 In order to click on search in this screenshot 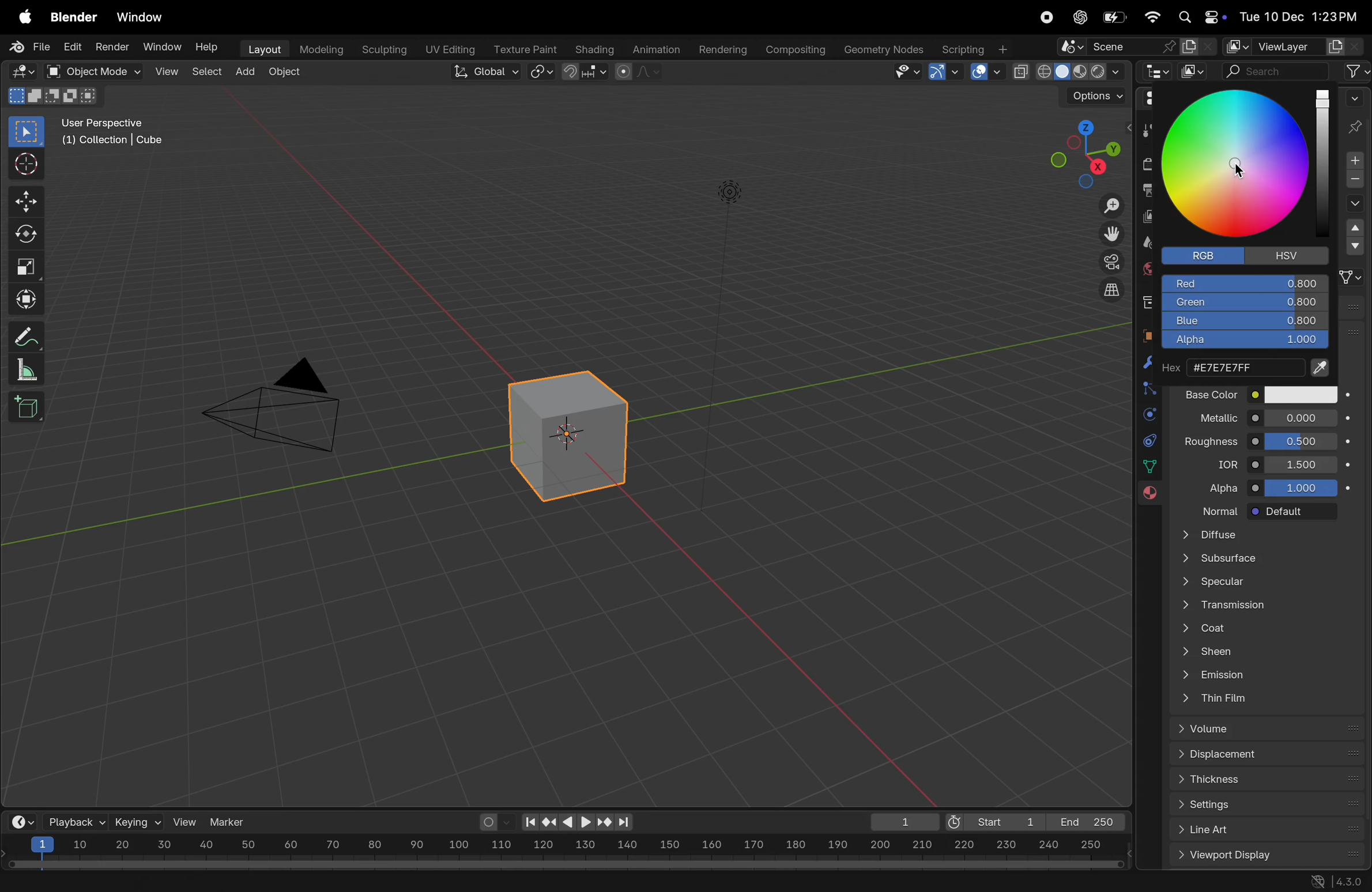, I will do `click(1277, 69)`.